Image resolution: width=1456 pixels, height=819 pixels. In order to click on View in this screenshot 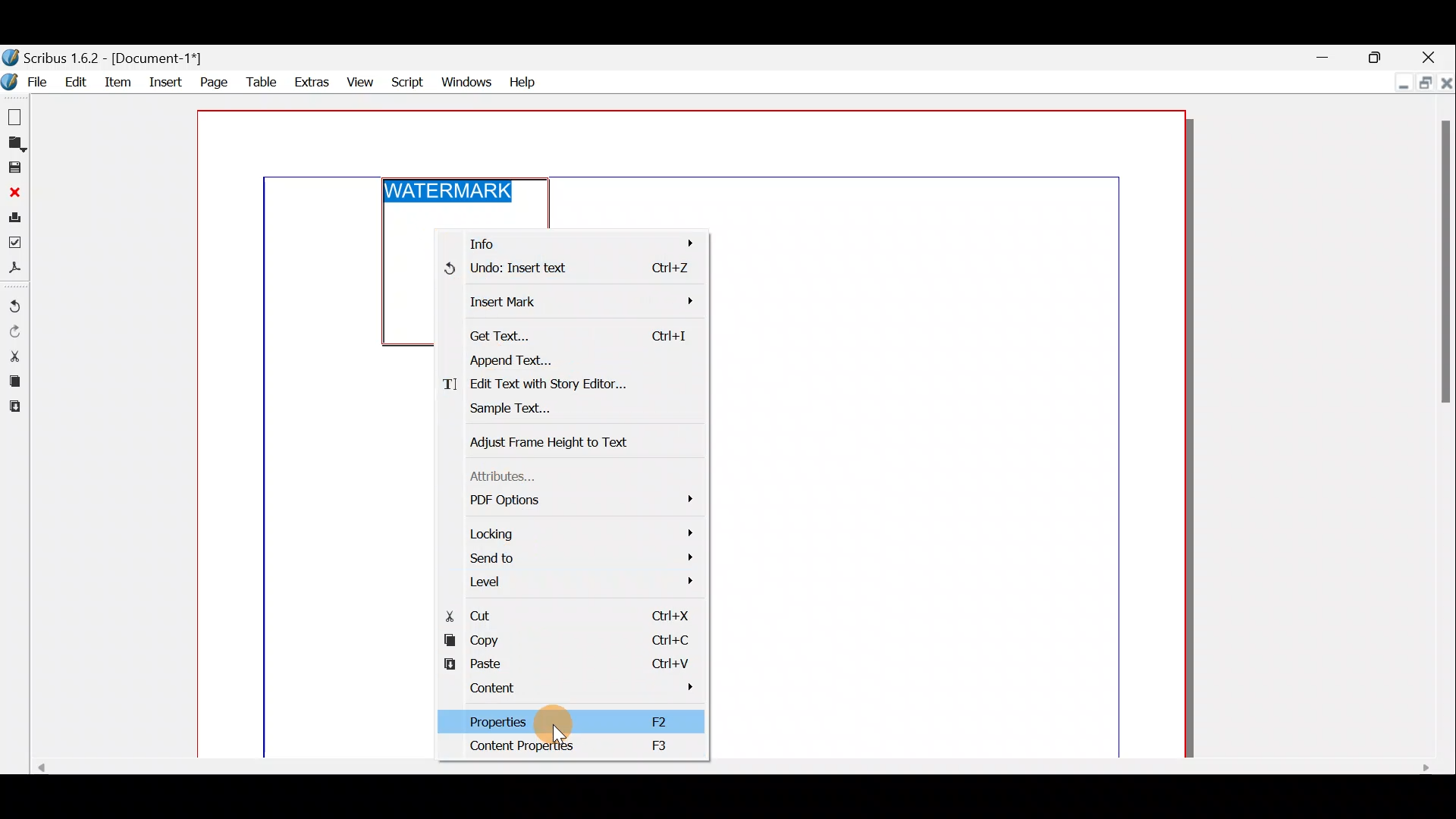, I will do `click(360, 81)`.